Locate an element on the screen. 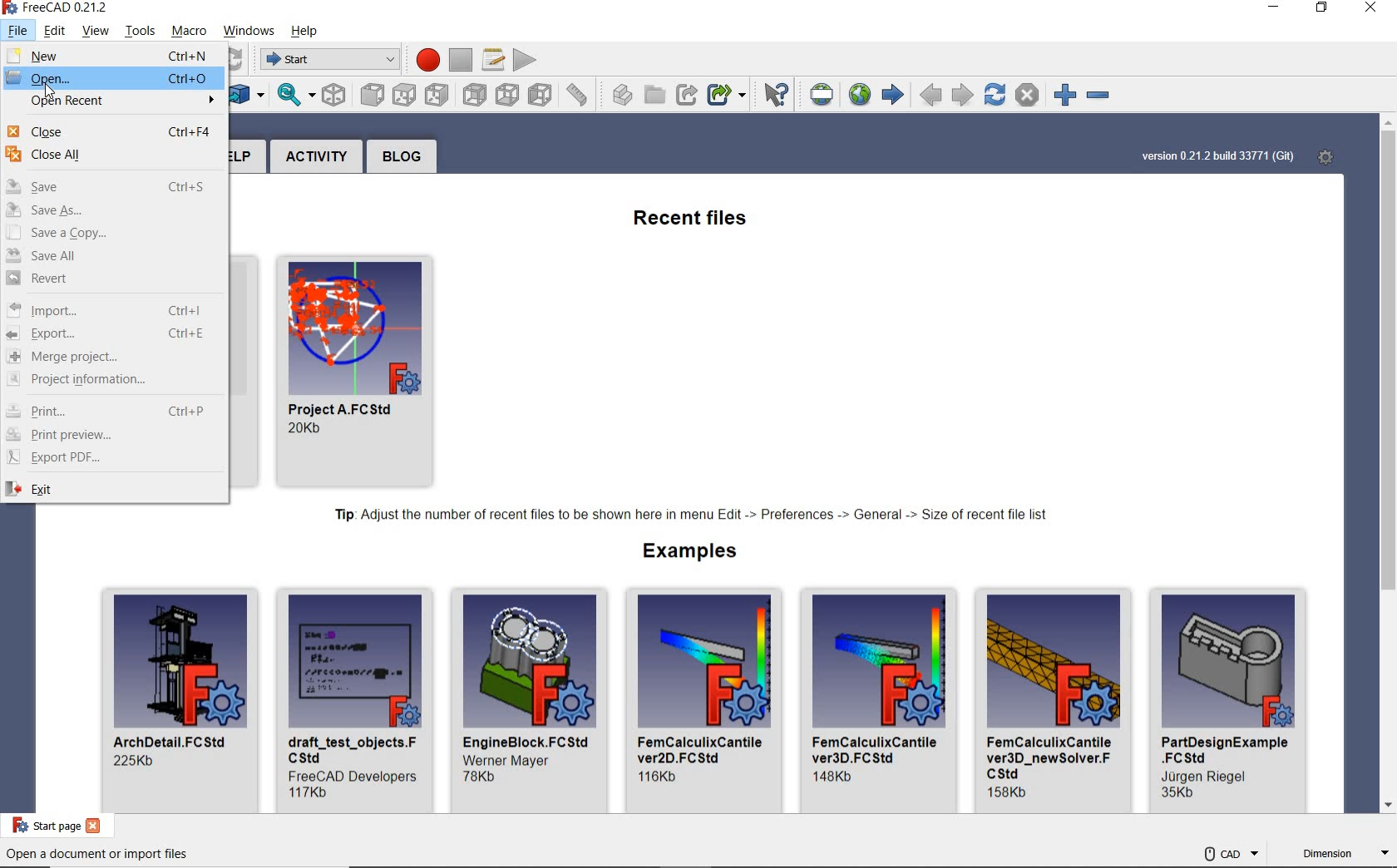 The image size is (1397, 868). SYNC VIEW is located at coordinates (295, 96).